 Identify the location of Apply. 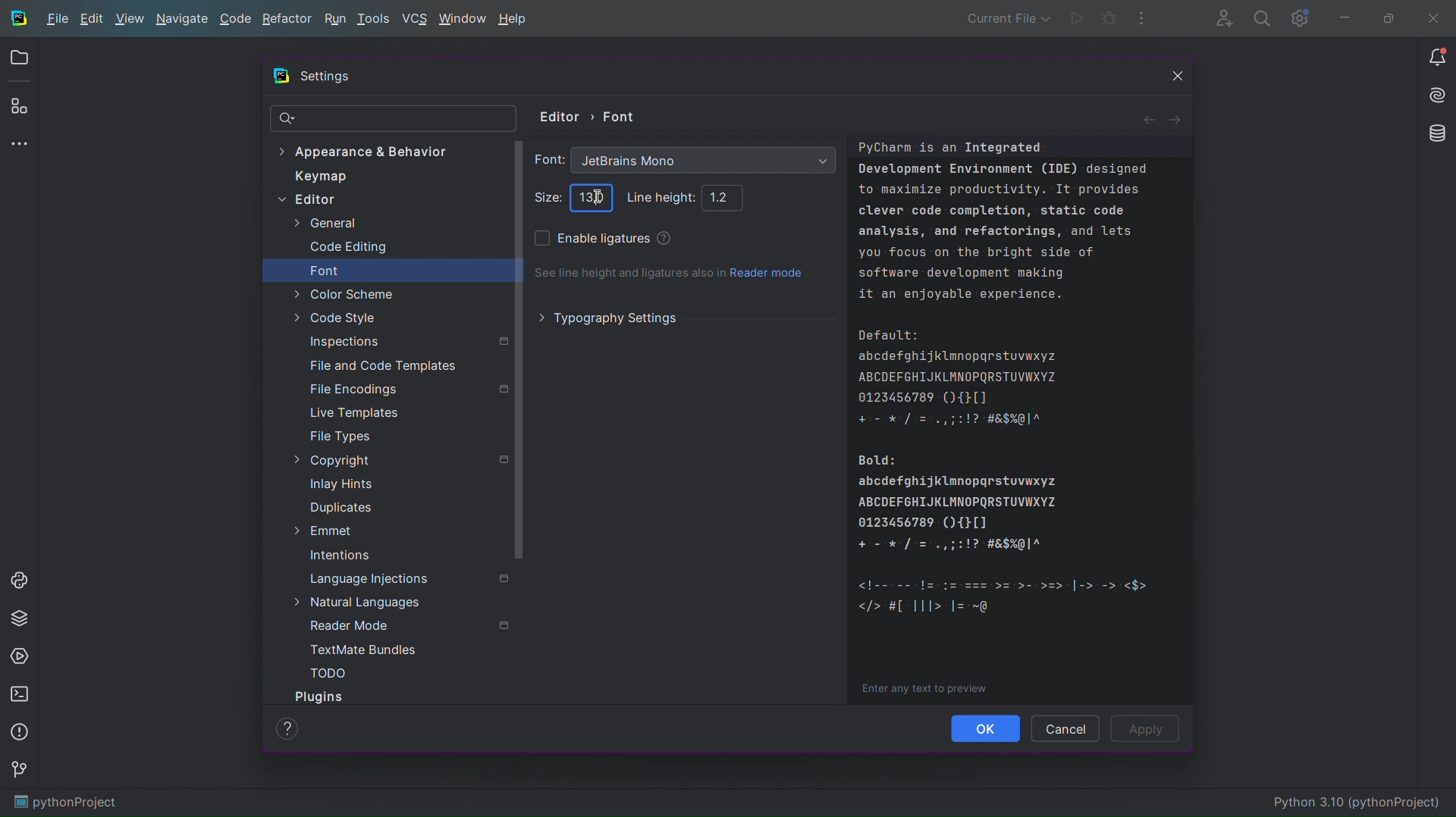
(1149, 729).